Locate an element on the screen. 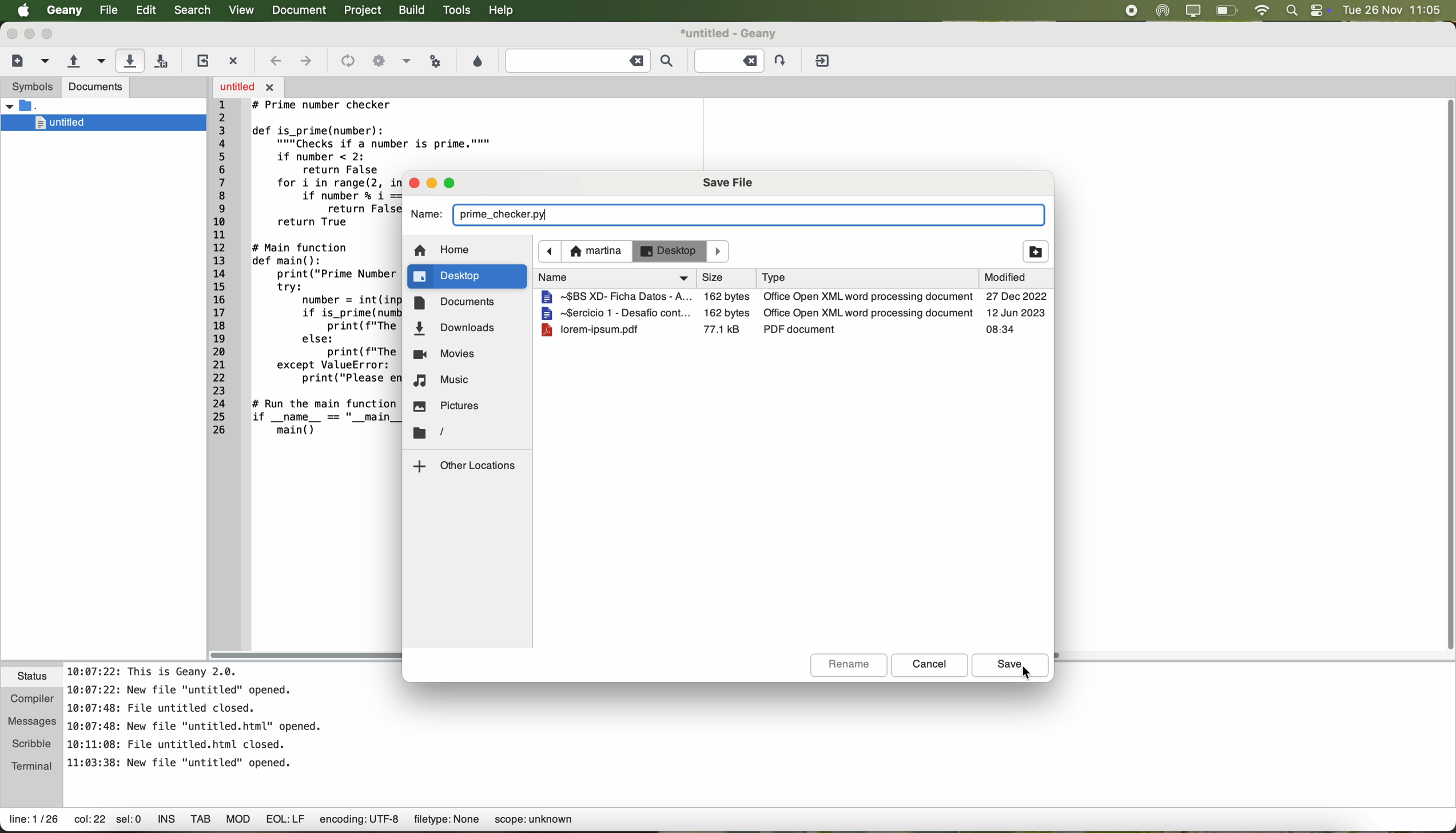 Image resolution: width=1456 pixels, height=833 pixels. symbols is located at coordinates (30, 88).